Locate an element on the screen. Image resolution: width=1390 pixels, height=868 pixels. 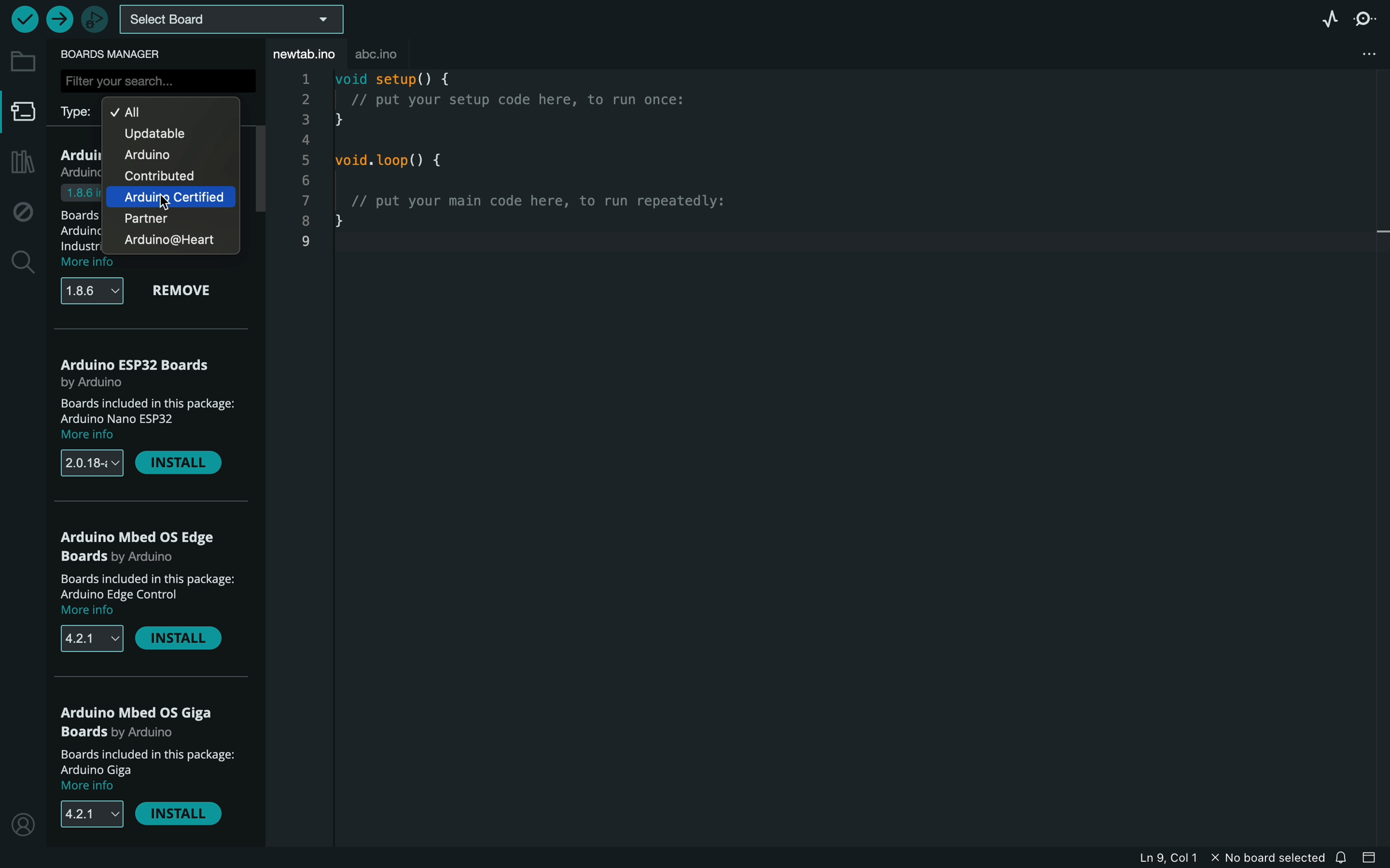
search bar is located at coordinates (157, 80).